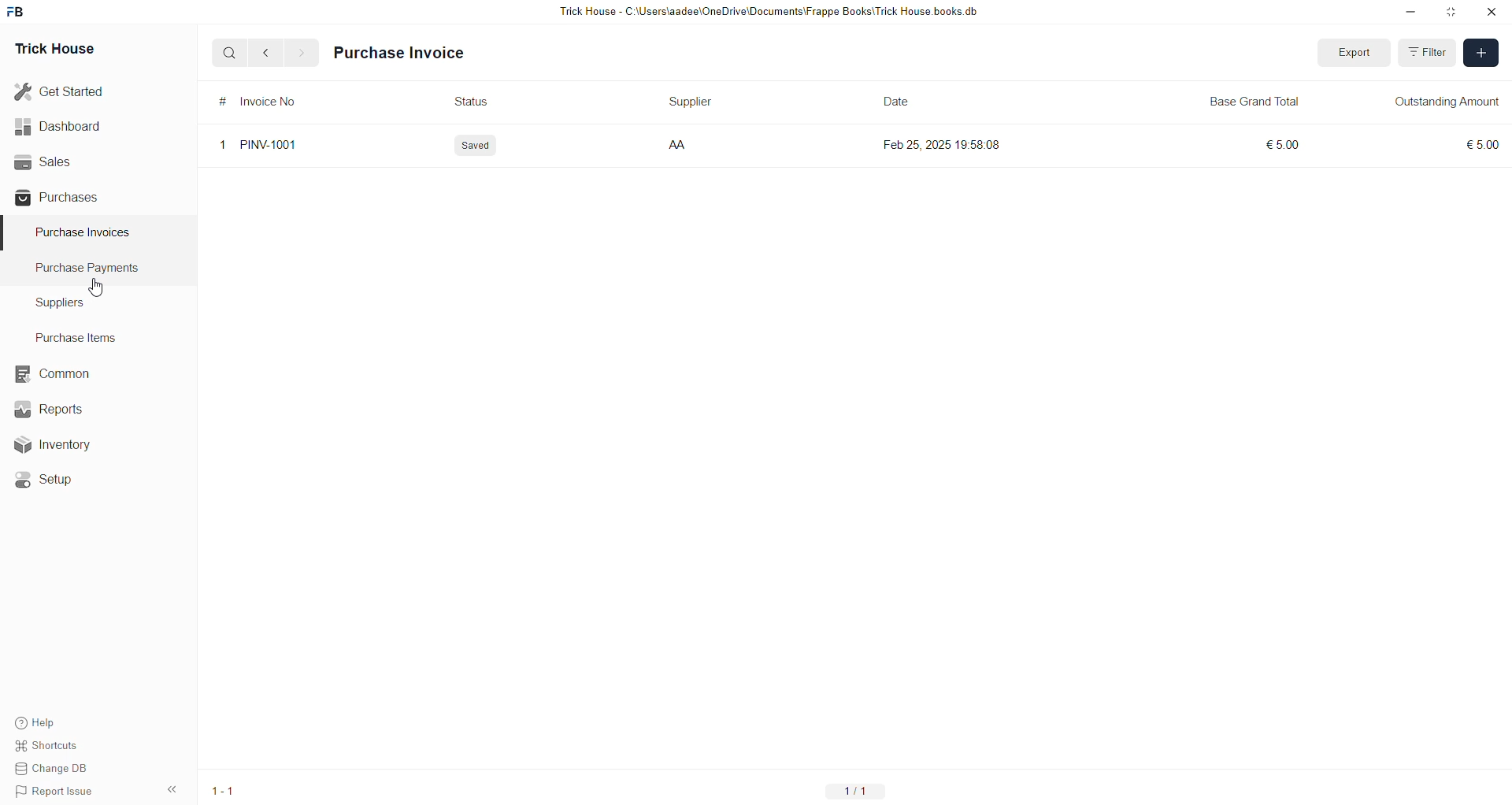 The width and height of the screenshot is (1512, 805). I want to click on frappebooks logo, so click(17, 9).